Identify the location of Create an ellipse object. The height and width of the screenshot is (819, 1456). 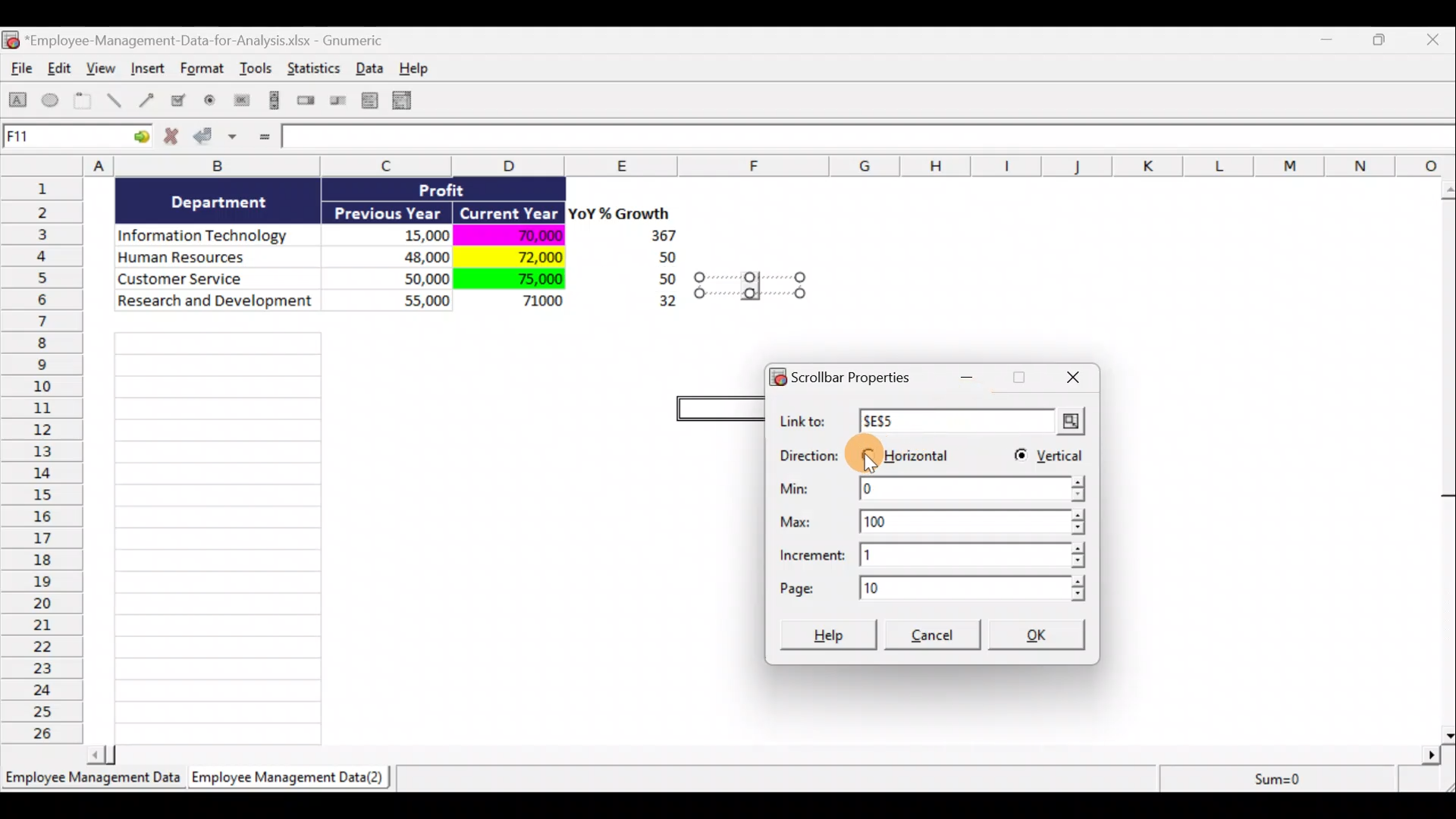
(51, 101).